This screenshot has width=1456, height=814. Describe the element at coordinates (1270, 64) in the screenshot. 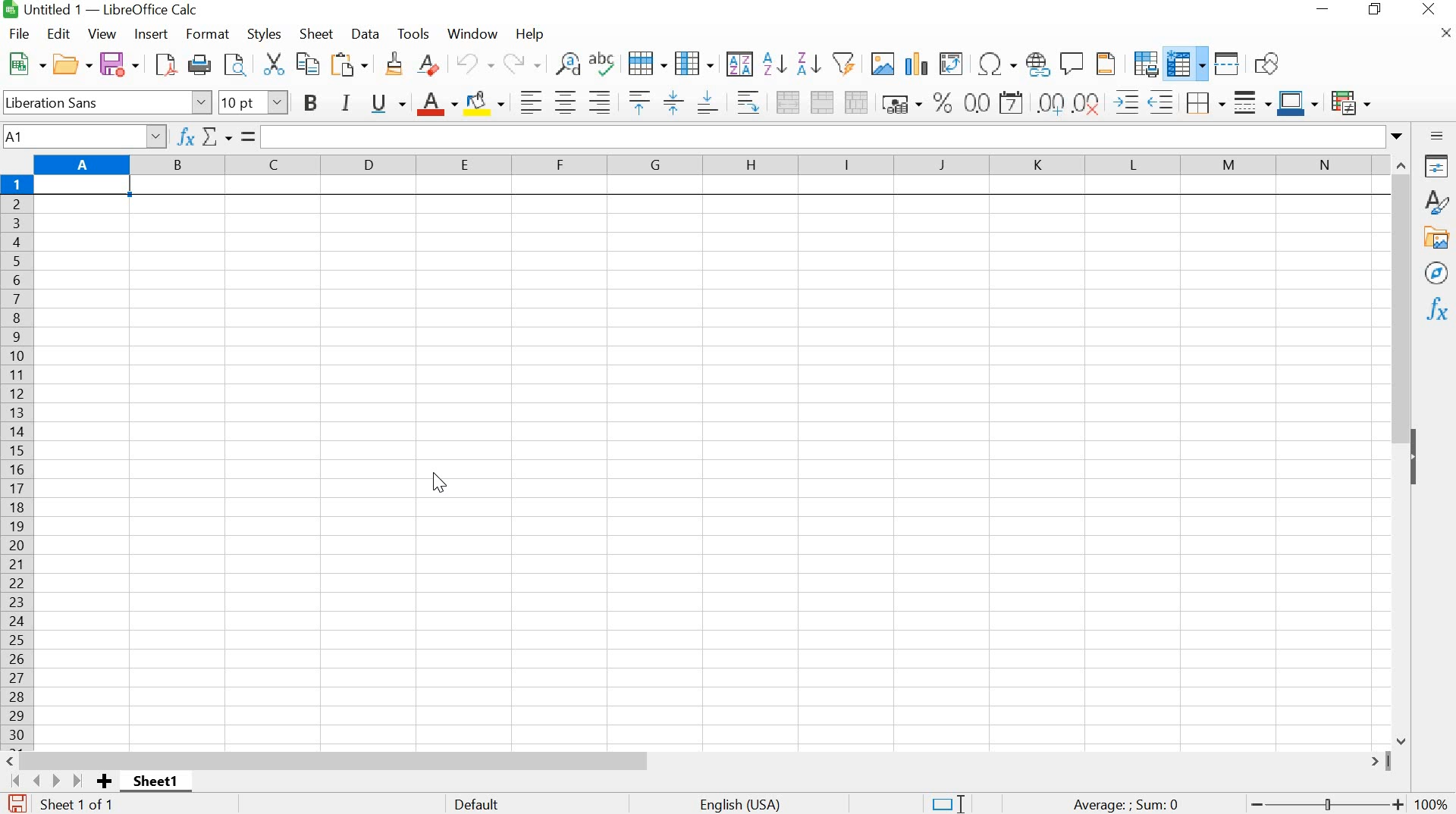

I see `SHOW DRAW FUNCTIONS` at that location.